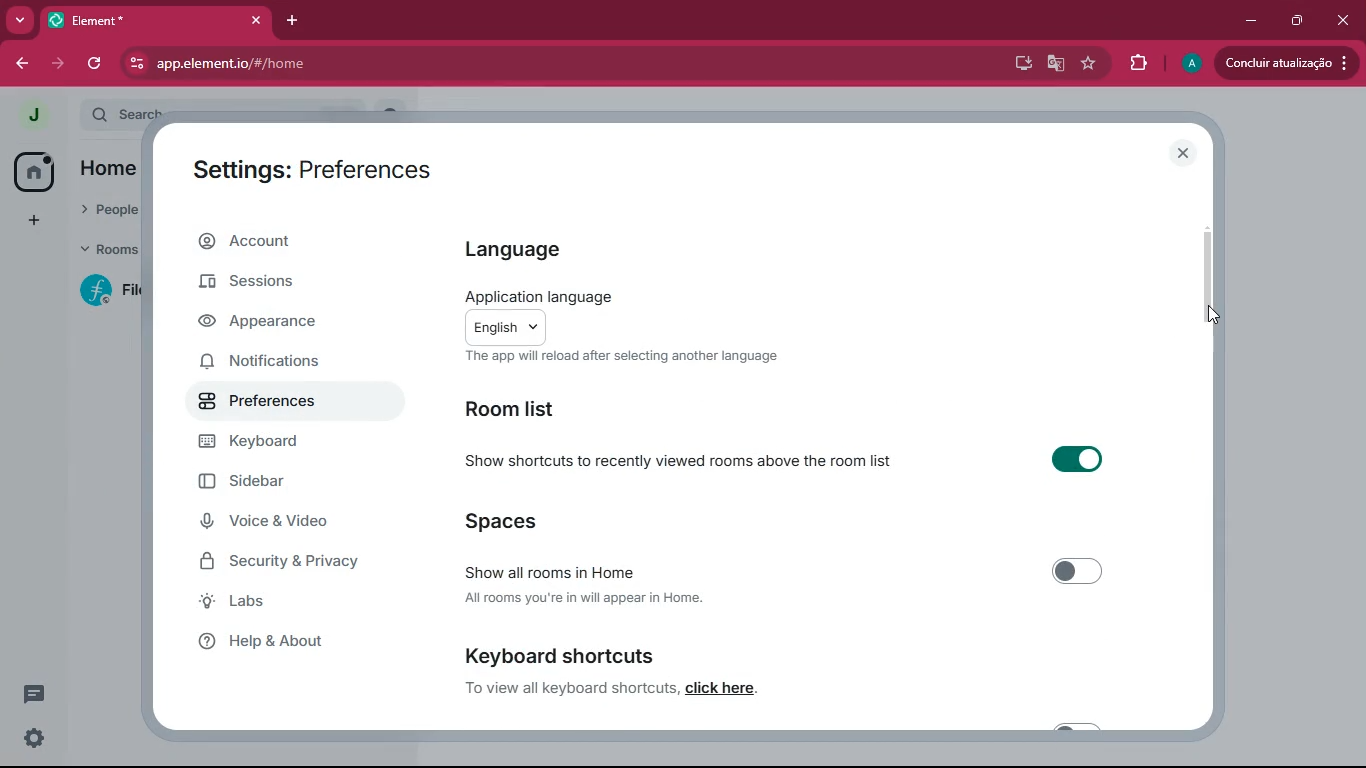  What do you see at coordinates (1299, 22) in the screenshot?
I see `maximize` at bounding box center [1299, 22].